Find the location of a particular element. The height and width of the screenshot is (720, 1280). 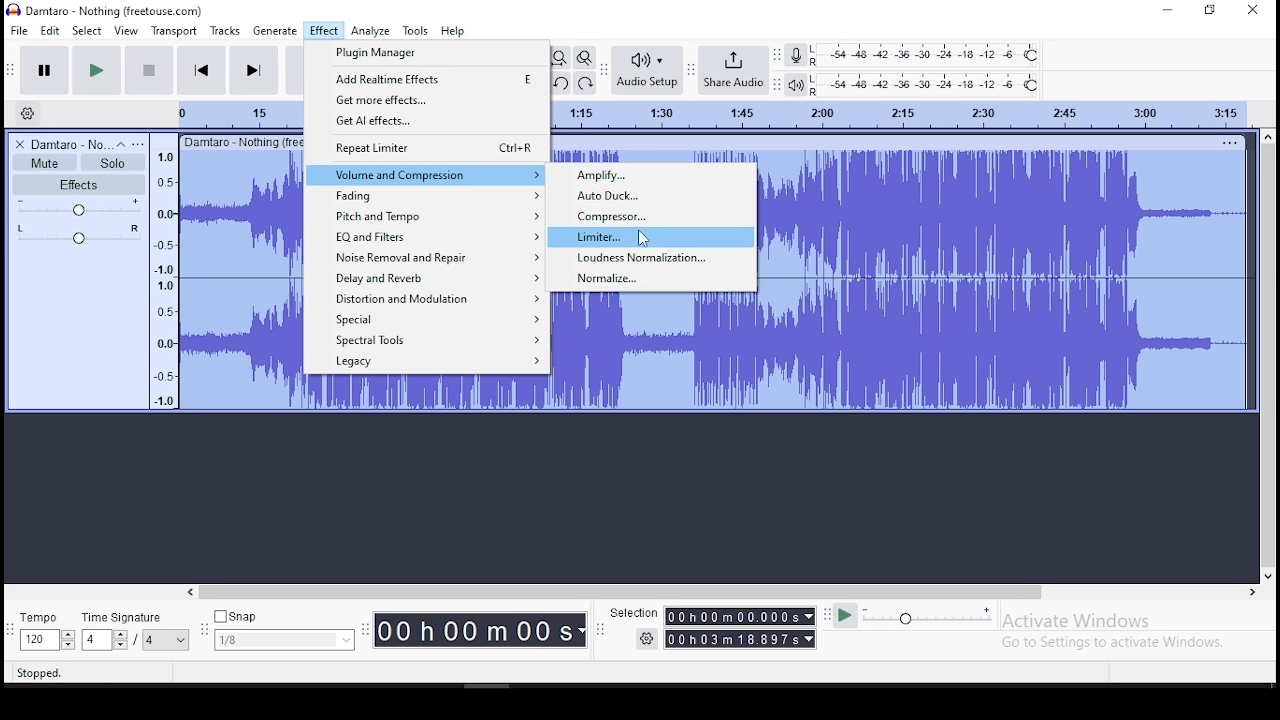

noise removal and repair is located at coordinates (427, 258).